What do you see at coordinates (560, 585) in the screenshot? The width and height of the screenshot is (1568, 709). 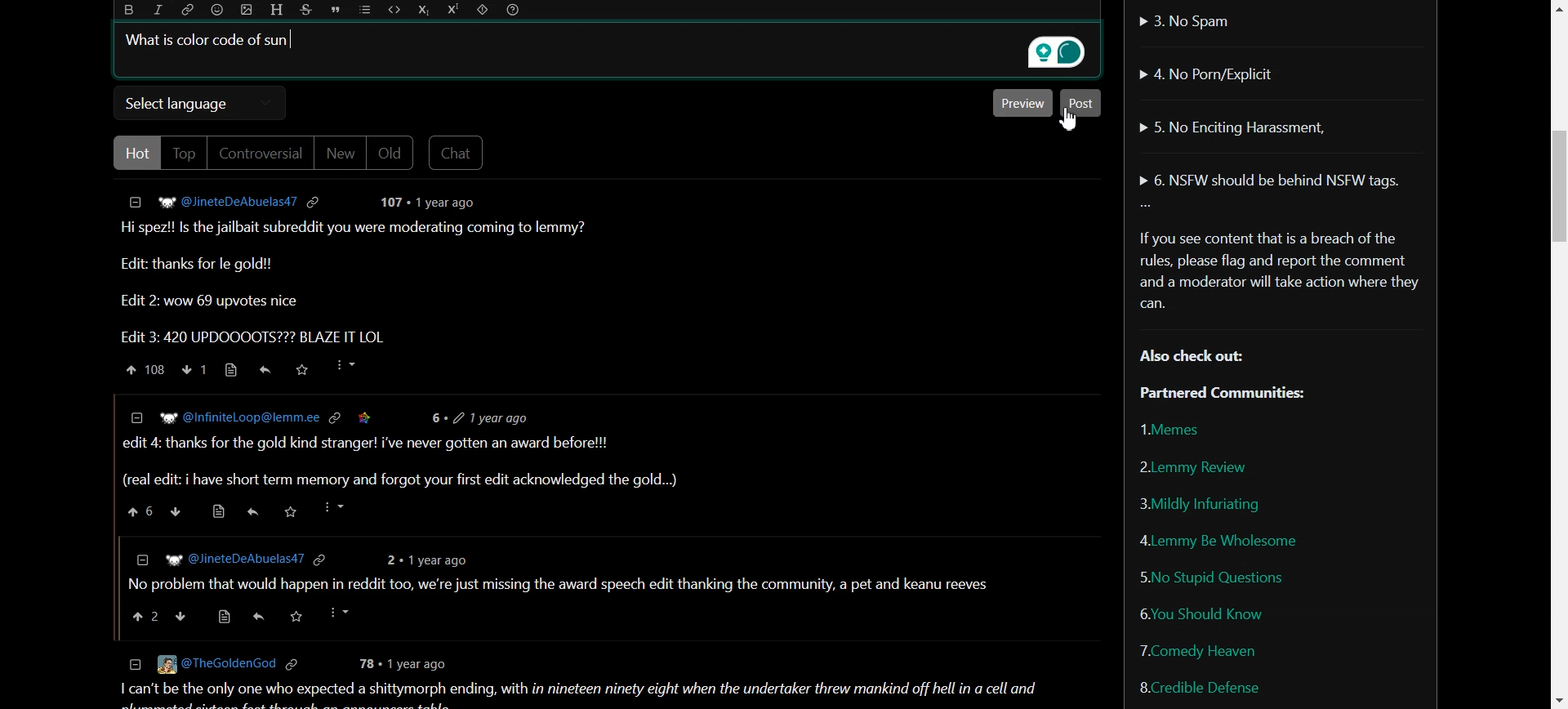 I see `| No problem that would happen in reddit too, we're just missing the award speech edit thanking the community, a pet and keanu reeves` at bounding box center [560, 585].